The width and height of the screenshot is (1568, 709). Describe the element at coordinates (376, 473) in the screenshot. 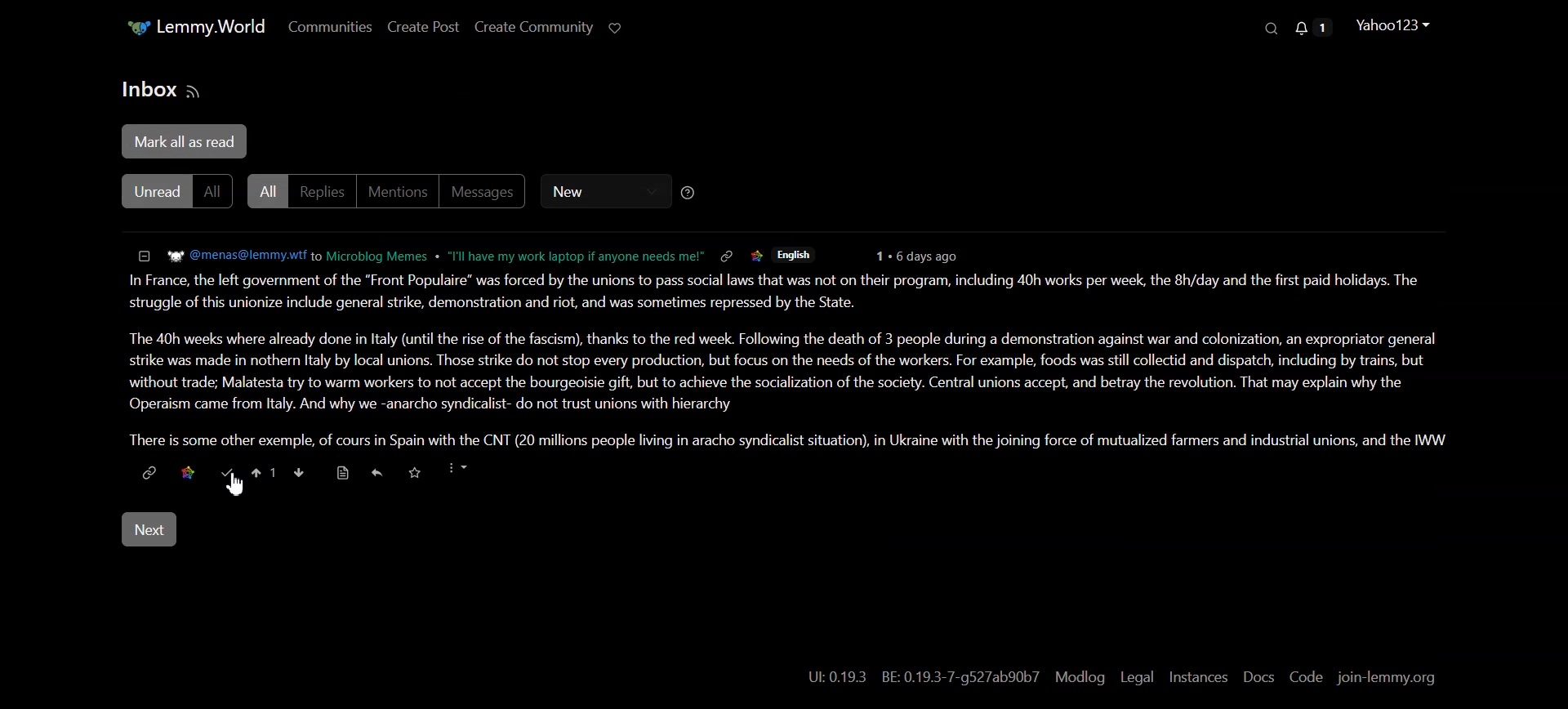

I see `Reply` at that location.